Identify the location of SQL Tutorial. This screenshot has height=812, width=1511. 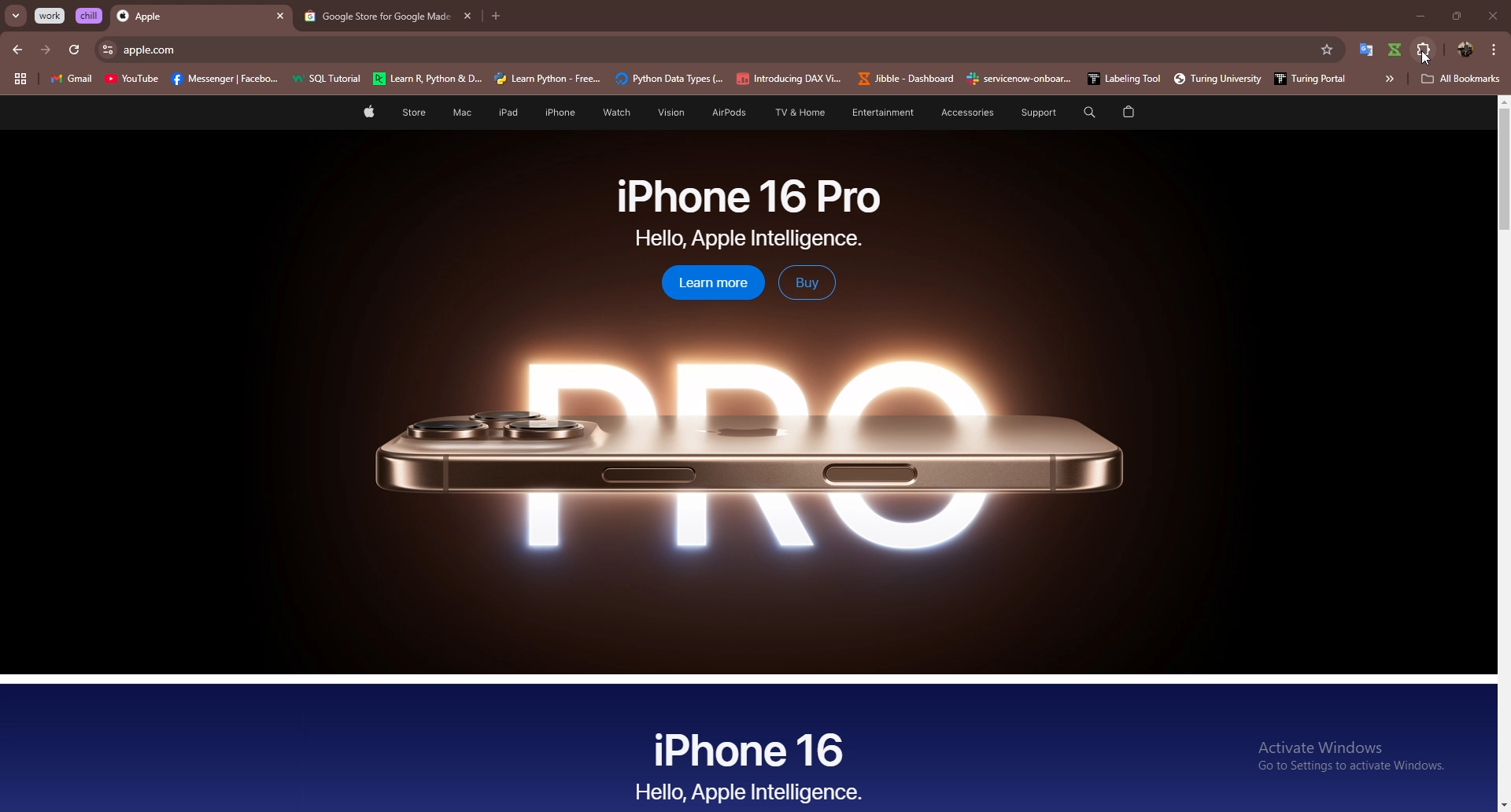
(331, 80).